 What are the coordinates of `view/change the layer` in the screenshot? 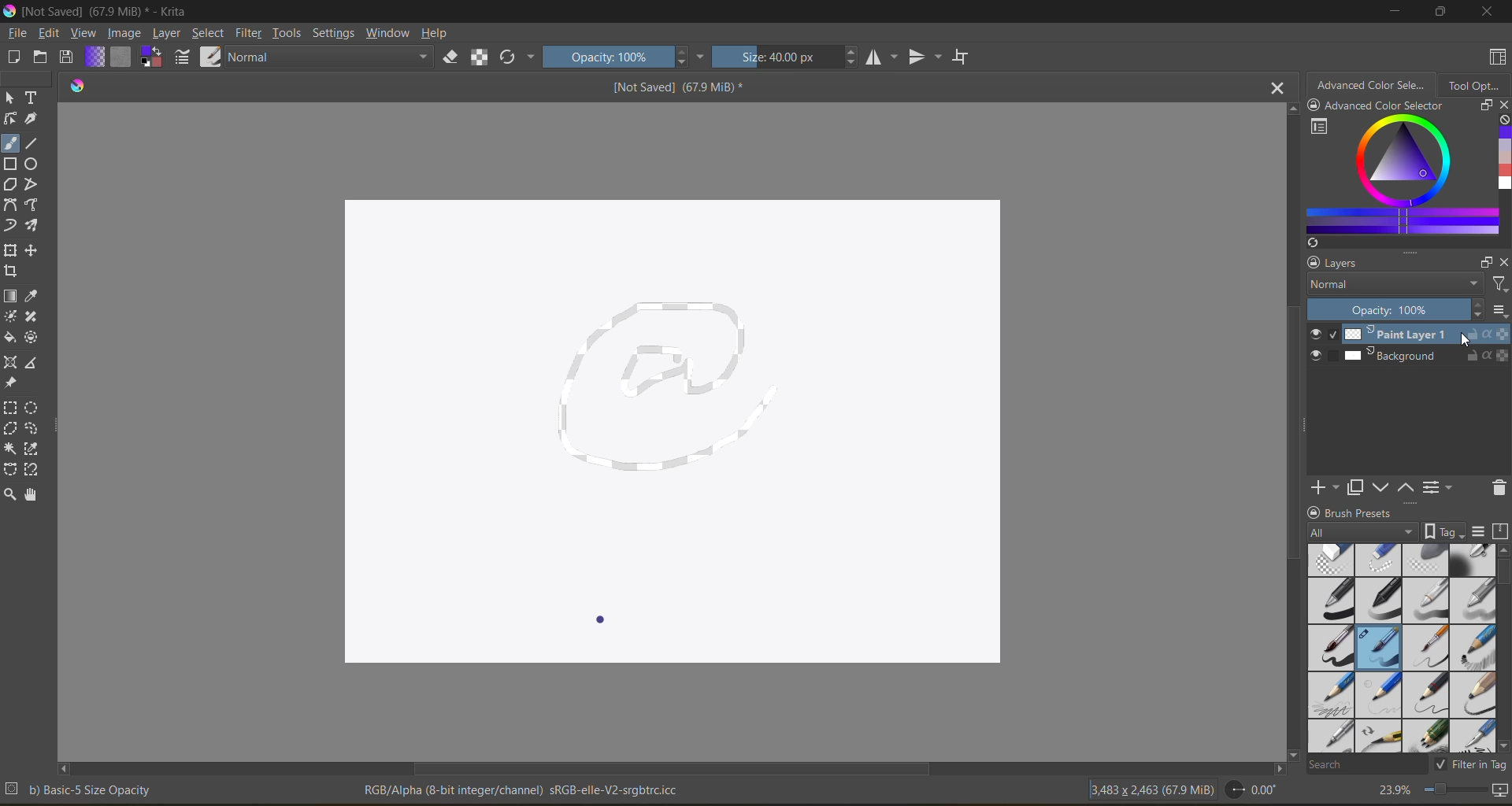 It's located at (1440, 486).